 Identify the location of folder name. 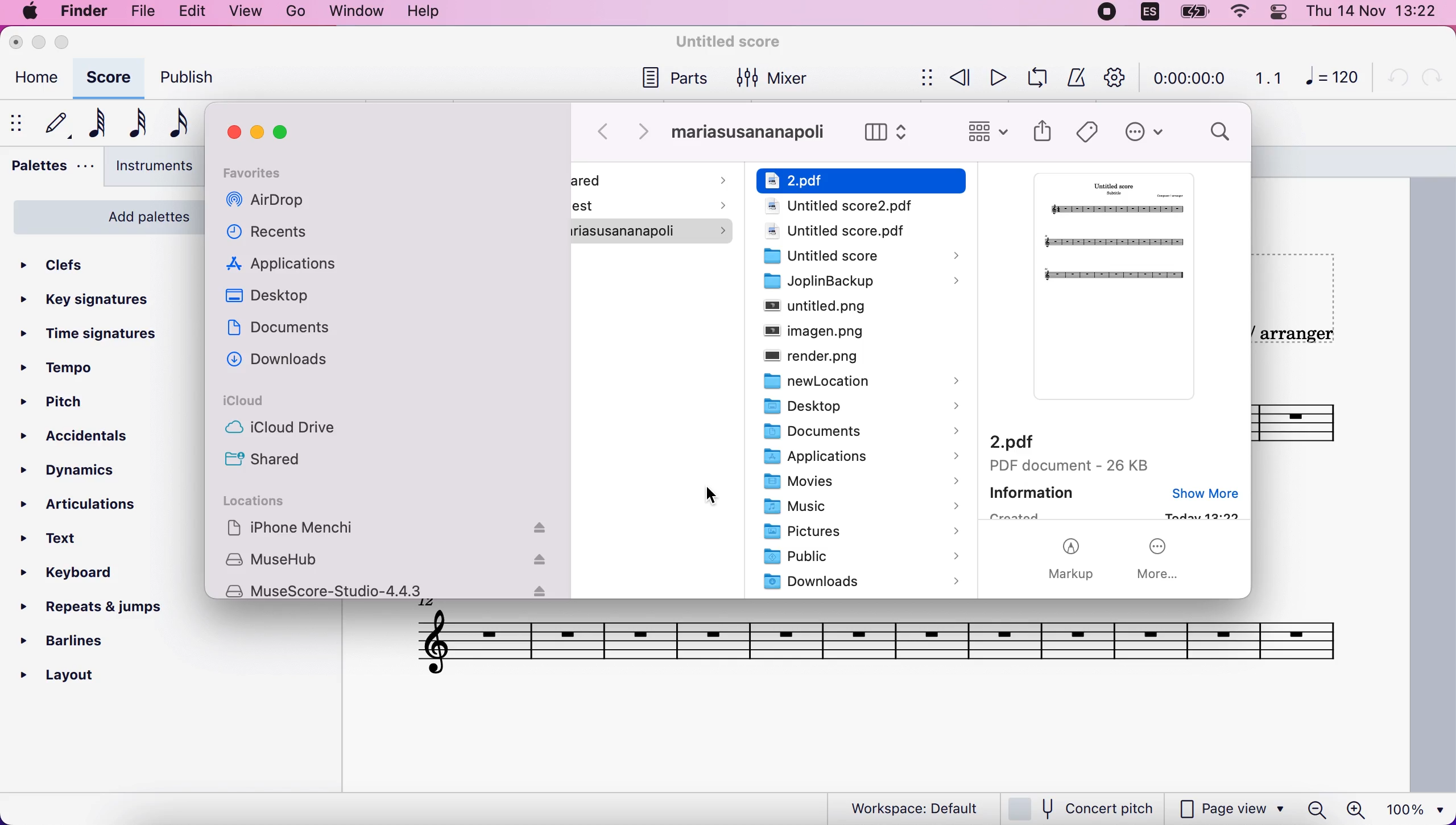
(752, 133).